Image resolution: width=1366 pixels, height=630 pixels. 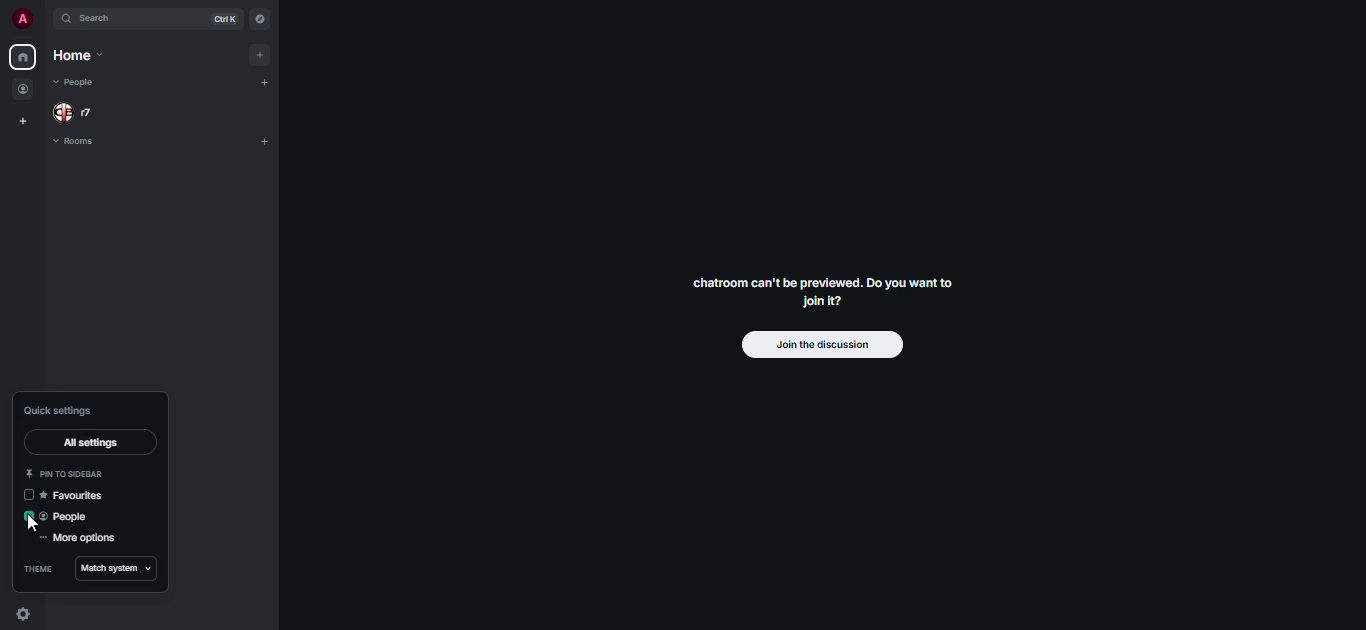 I want to click on match system, so click(x=125, y=568).